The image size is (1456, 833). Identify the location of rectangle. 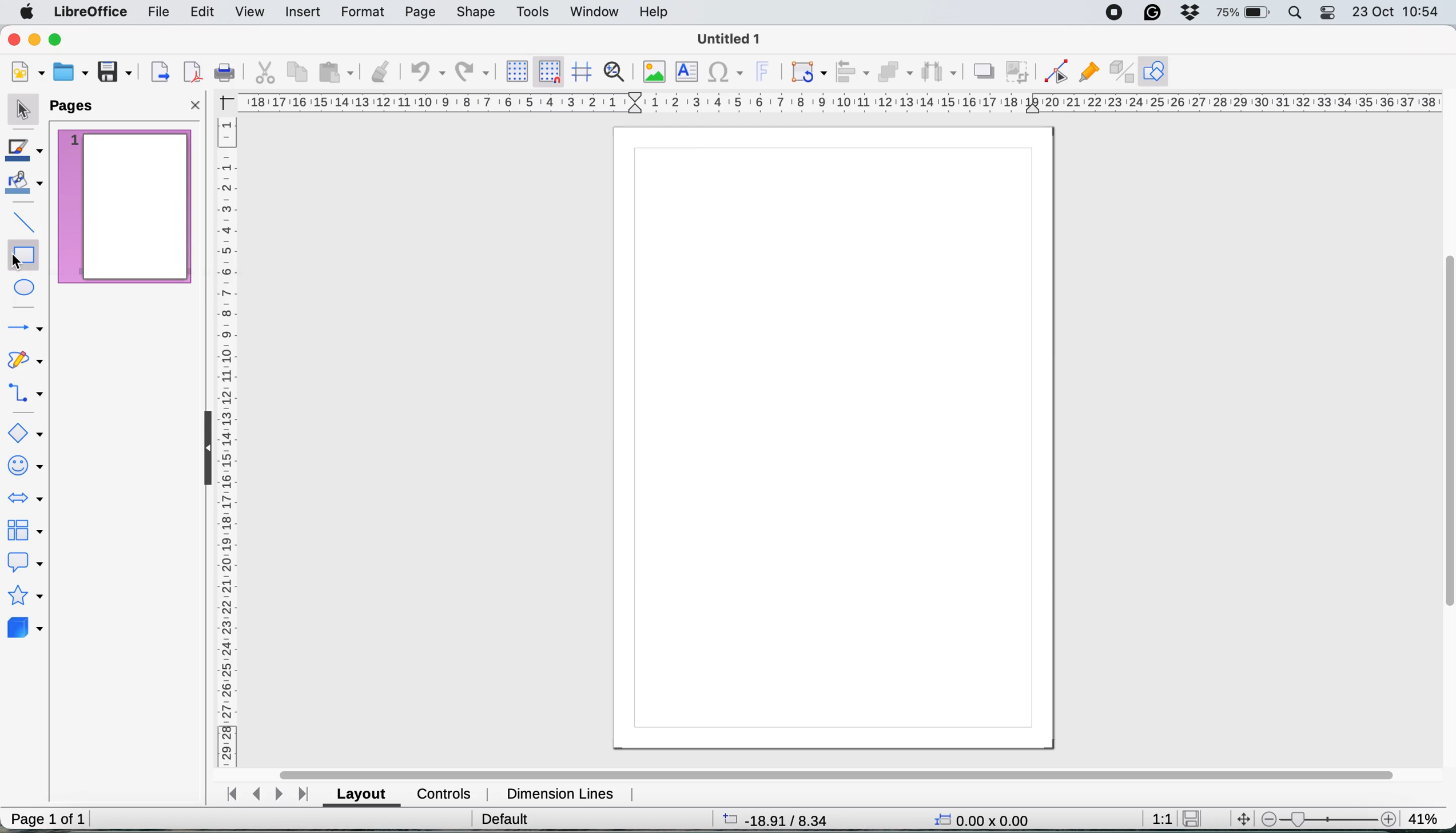
(23, 252).